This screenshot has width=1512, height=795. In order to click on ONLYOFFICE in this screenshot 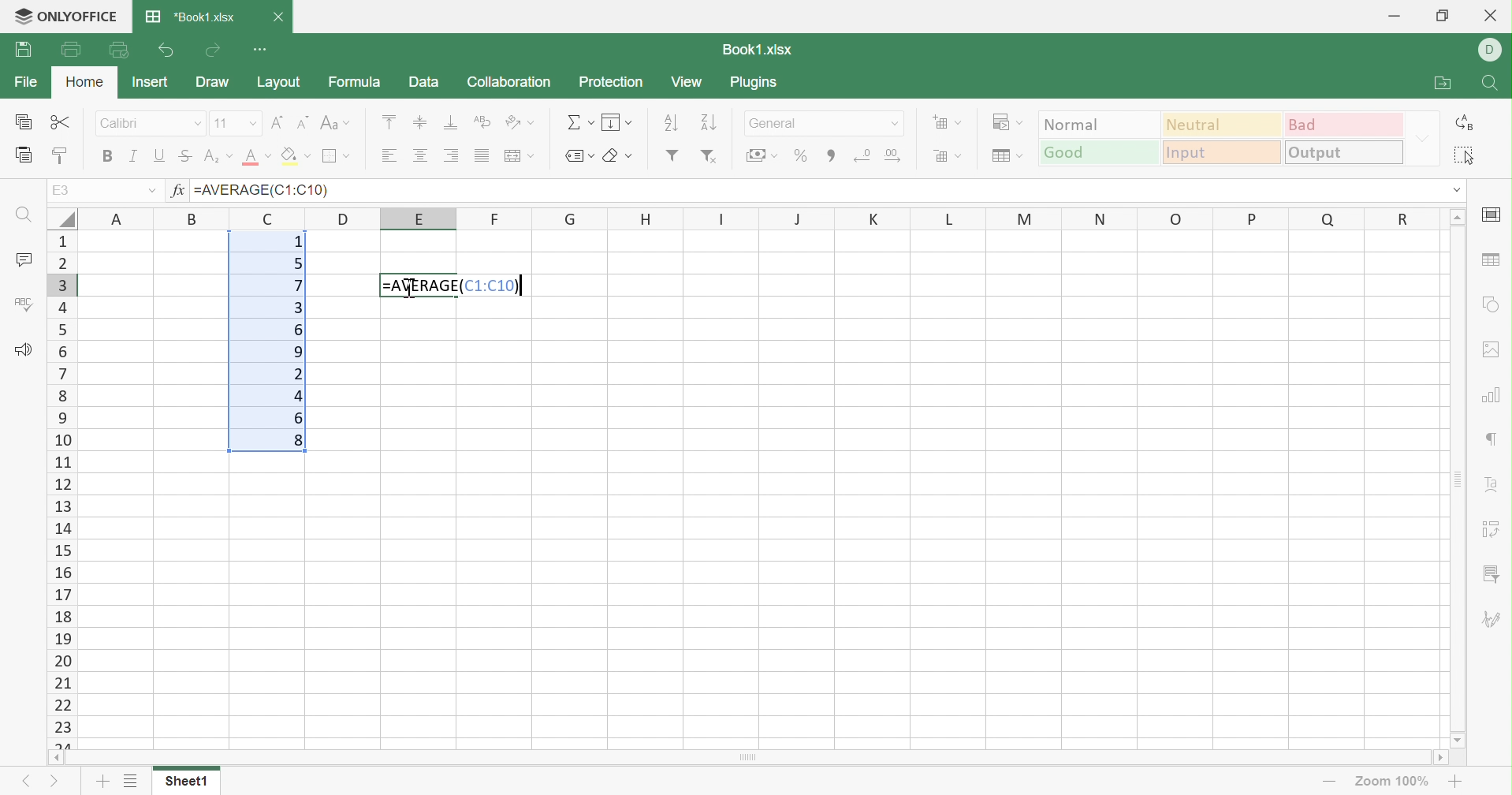, I will do `click(63, 17)`.